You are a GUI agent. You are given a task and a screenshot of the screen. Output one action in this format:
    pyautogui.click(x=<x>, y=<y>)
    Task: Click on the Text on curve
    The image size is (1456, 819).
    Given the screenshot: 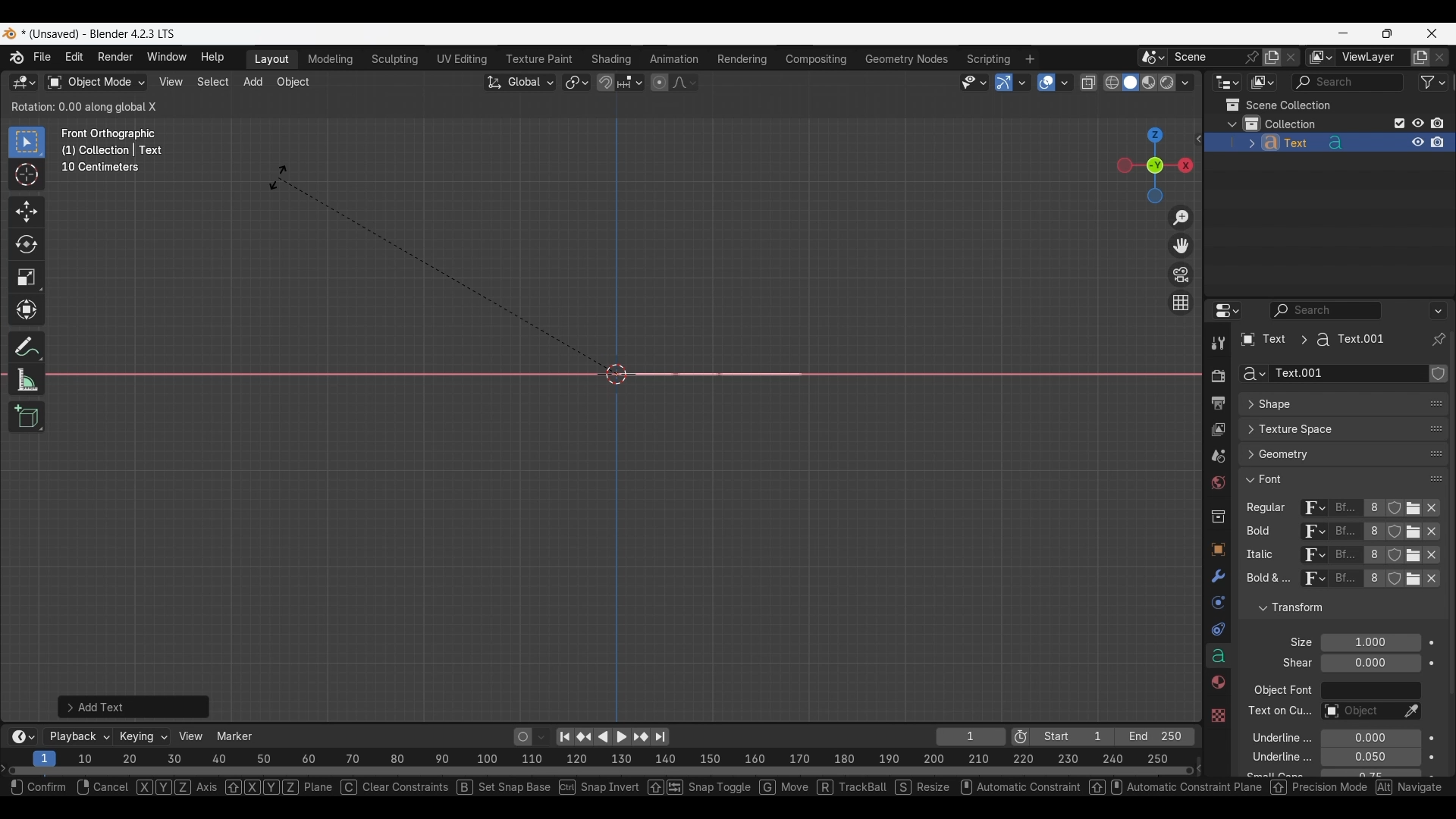 What is the action you would take?
    pyautogui.click(x=1359, y=712)
    